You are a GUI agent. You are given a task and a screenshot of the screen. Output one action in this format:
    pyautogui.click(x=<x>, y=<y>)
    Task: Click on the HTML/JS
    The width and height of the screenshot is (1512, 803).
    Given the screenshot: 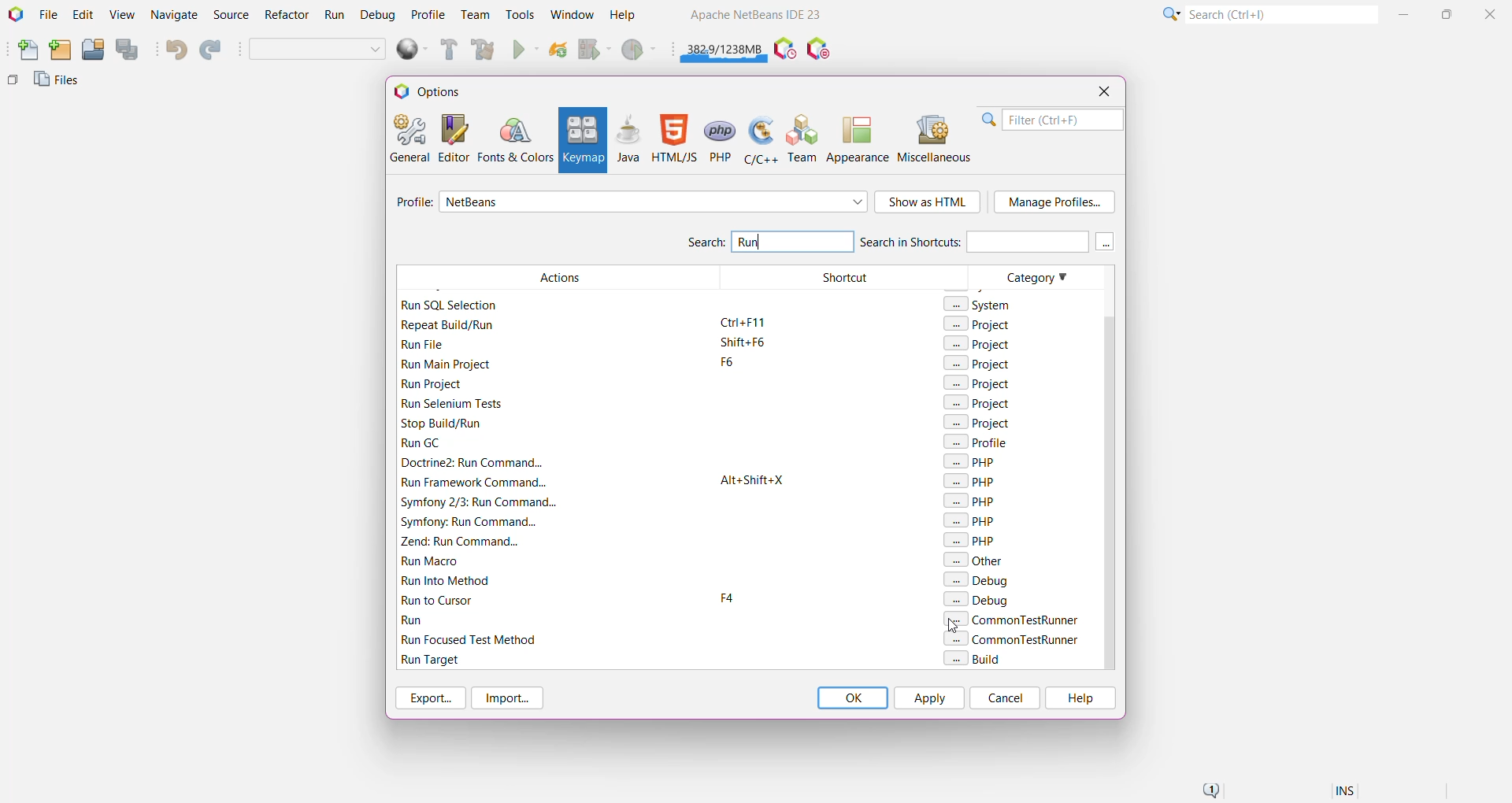 What is the action you would take?
    pyautogui.click(x=673, y=139)
    